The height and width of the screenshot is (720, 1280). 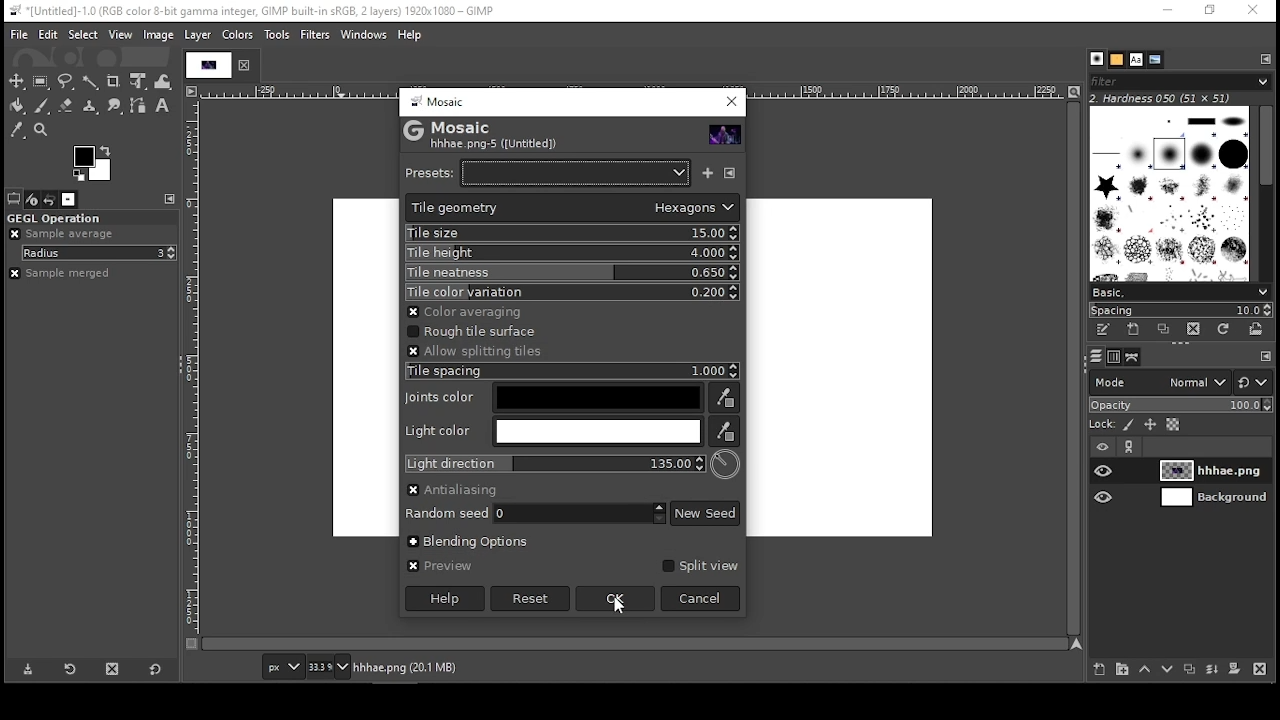 What do you see at coordinates (1171, 193) in the screenshot?
I see `brushes` at bounding box center [1171, 193].